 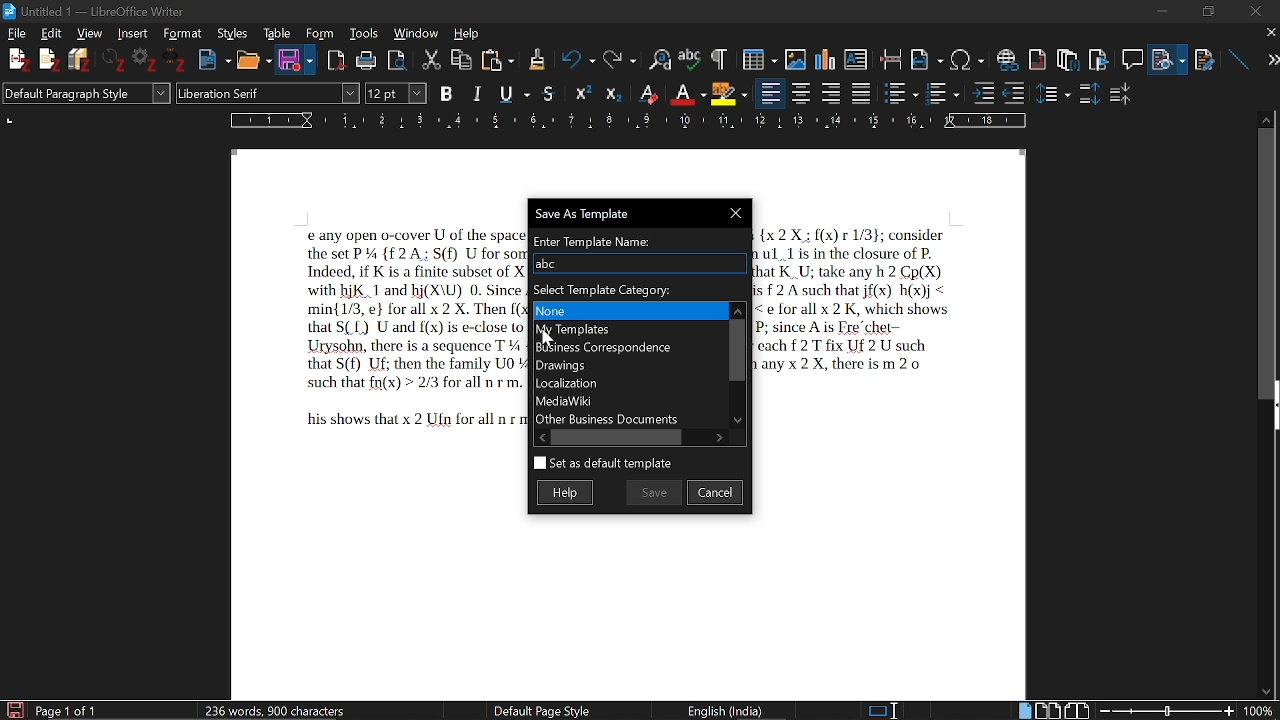 What do you see at coordinates (1067, 56) in the screenshot?
I see `Insert footnote` at bounding box center [1067, 56].